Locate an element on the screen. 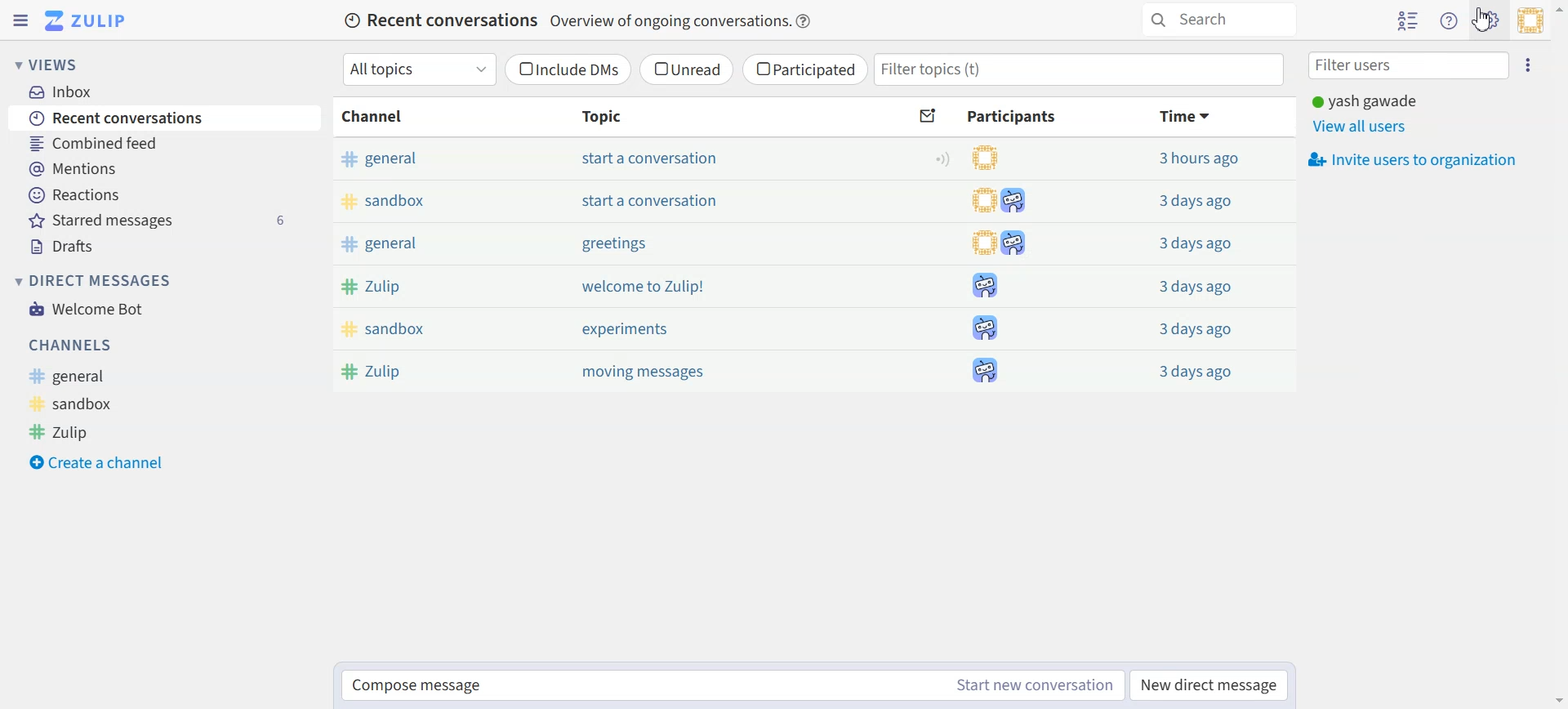  View all users is located at coordinates (1360, 127).